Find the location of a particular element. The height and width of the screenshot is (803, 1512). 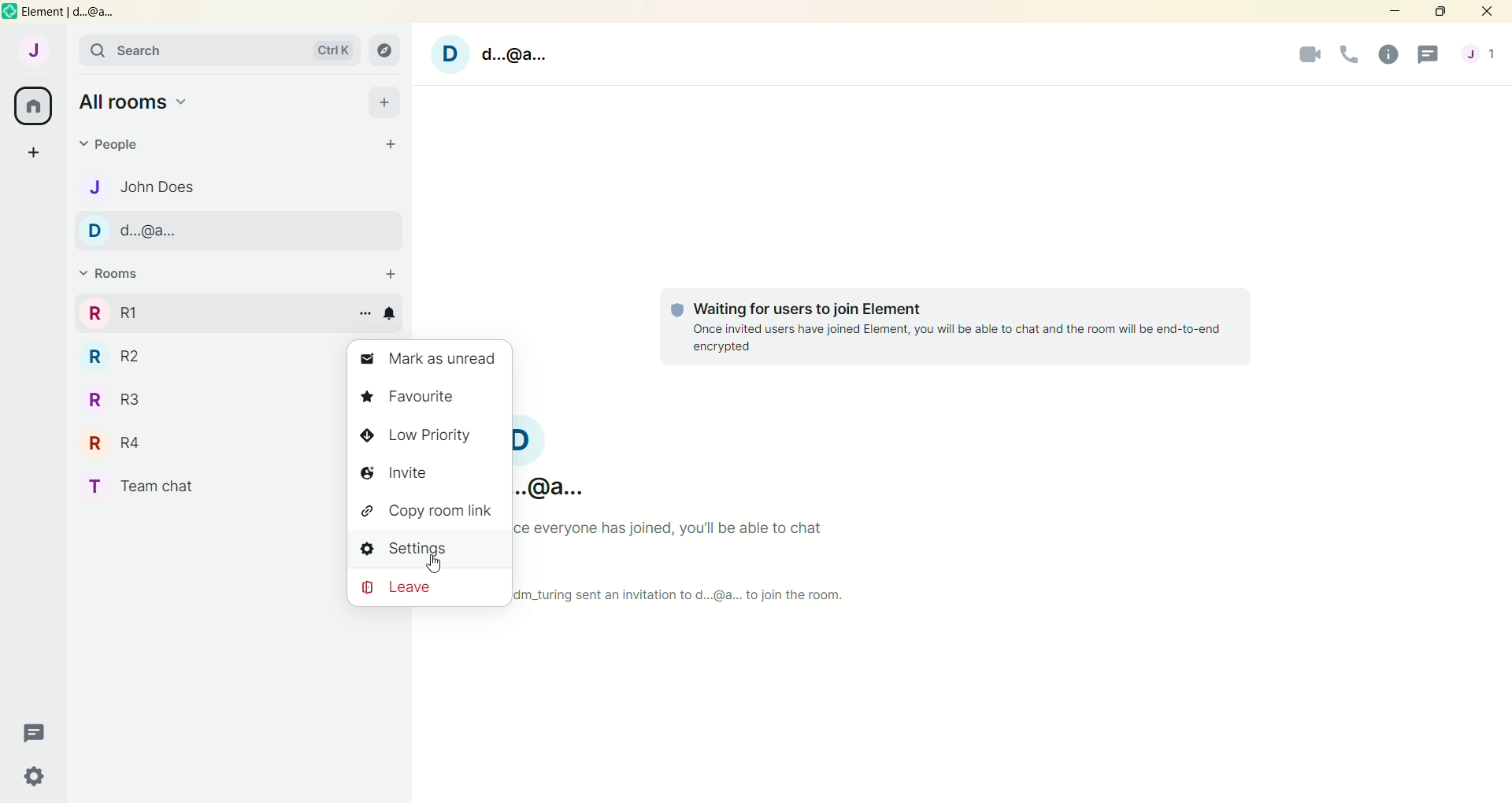

copy room  is located at coordinates (427, 513).